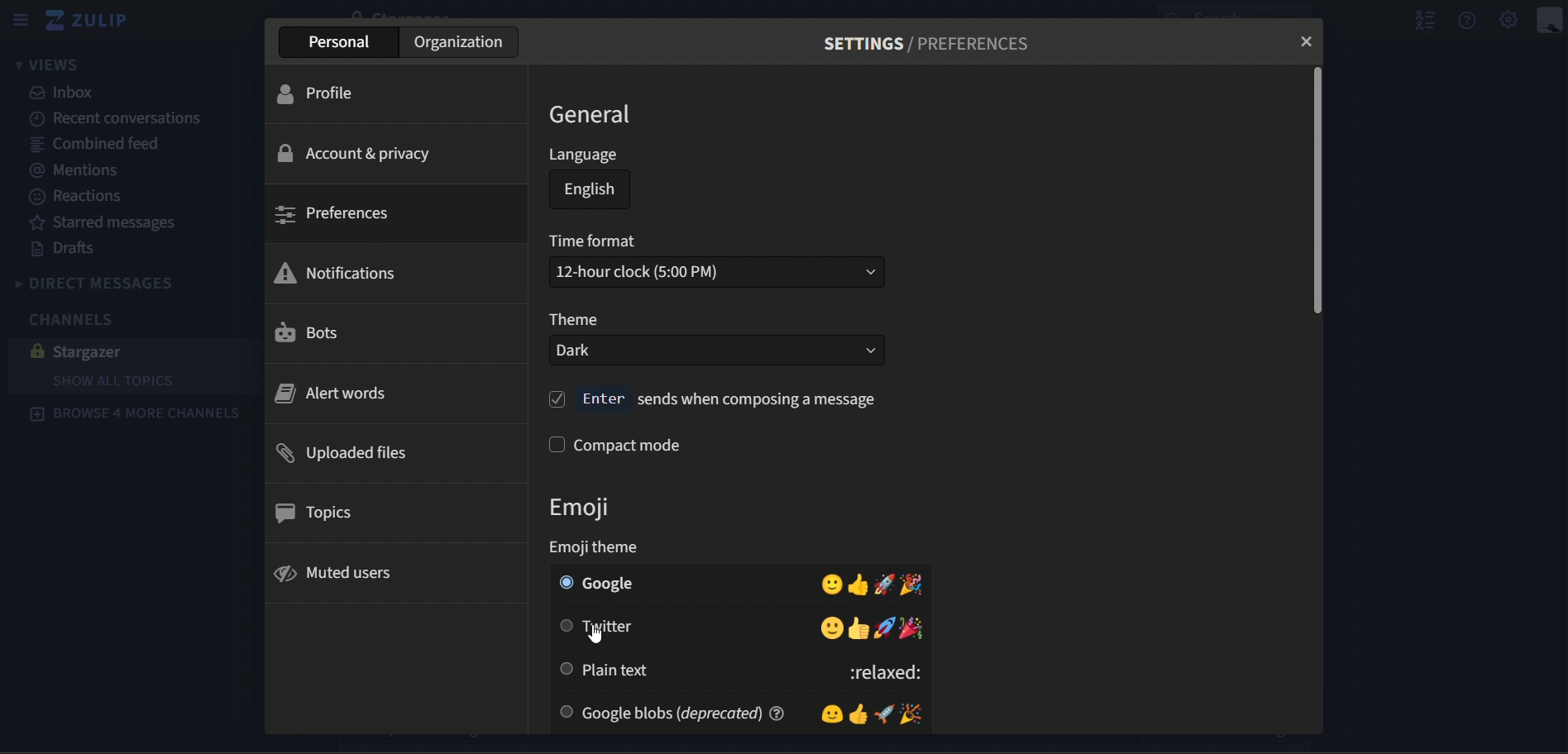 This screenshot has height=754, width=1568. What do you see at coordinates (595, 506) in the screenshot?
I see `emoji` at bounding box center [595, 506].